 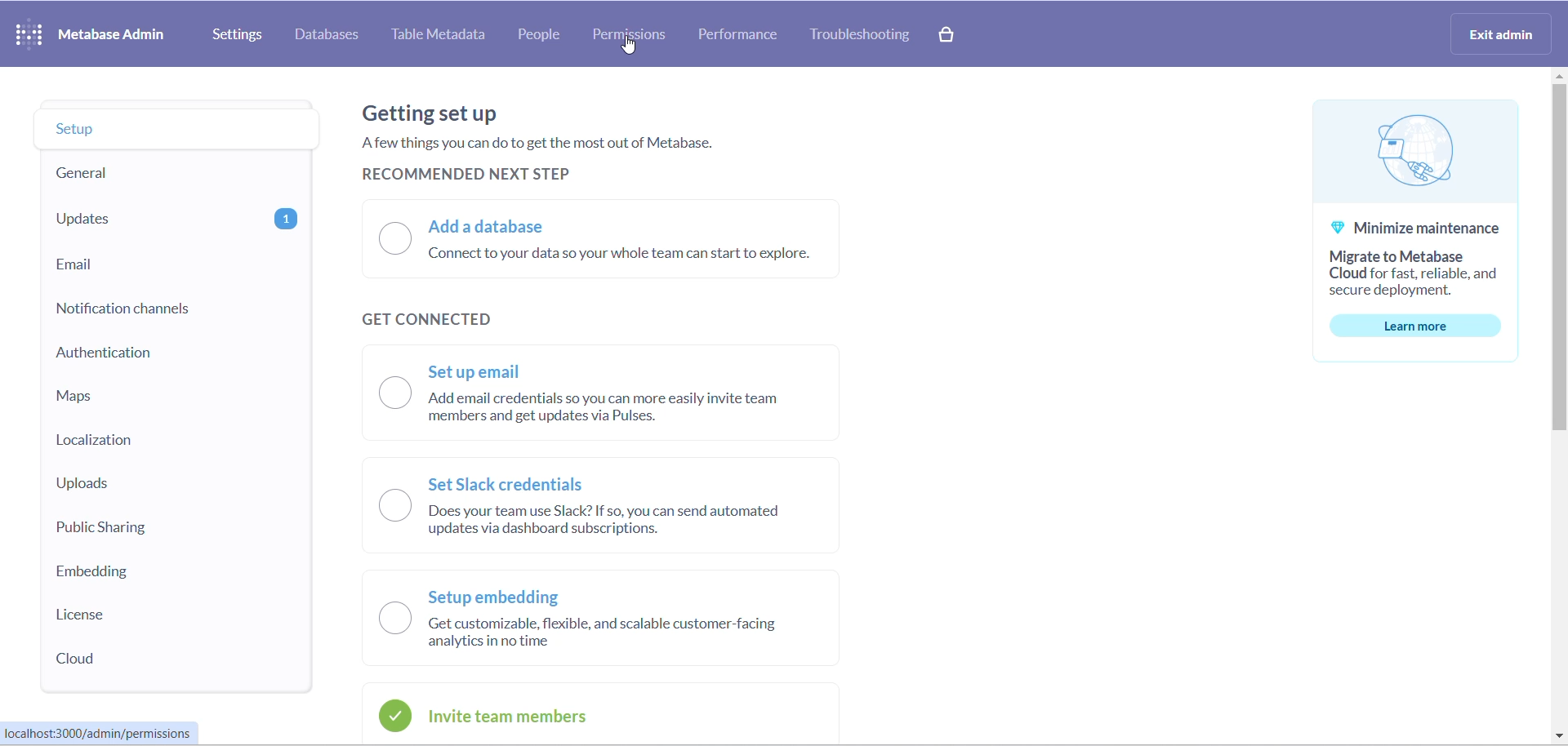 What do you see at coordinates (143, 529) in the screenshot?
I see `public sharing` at bounding box center [143, 529].